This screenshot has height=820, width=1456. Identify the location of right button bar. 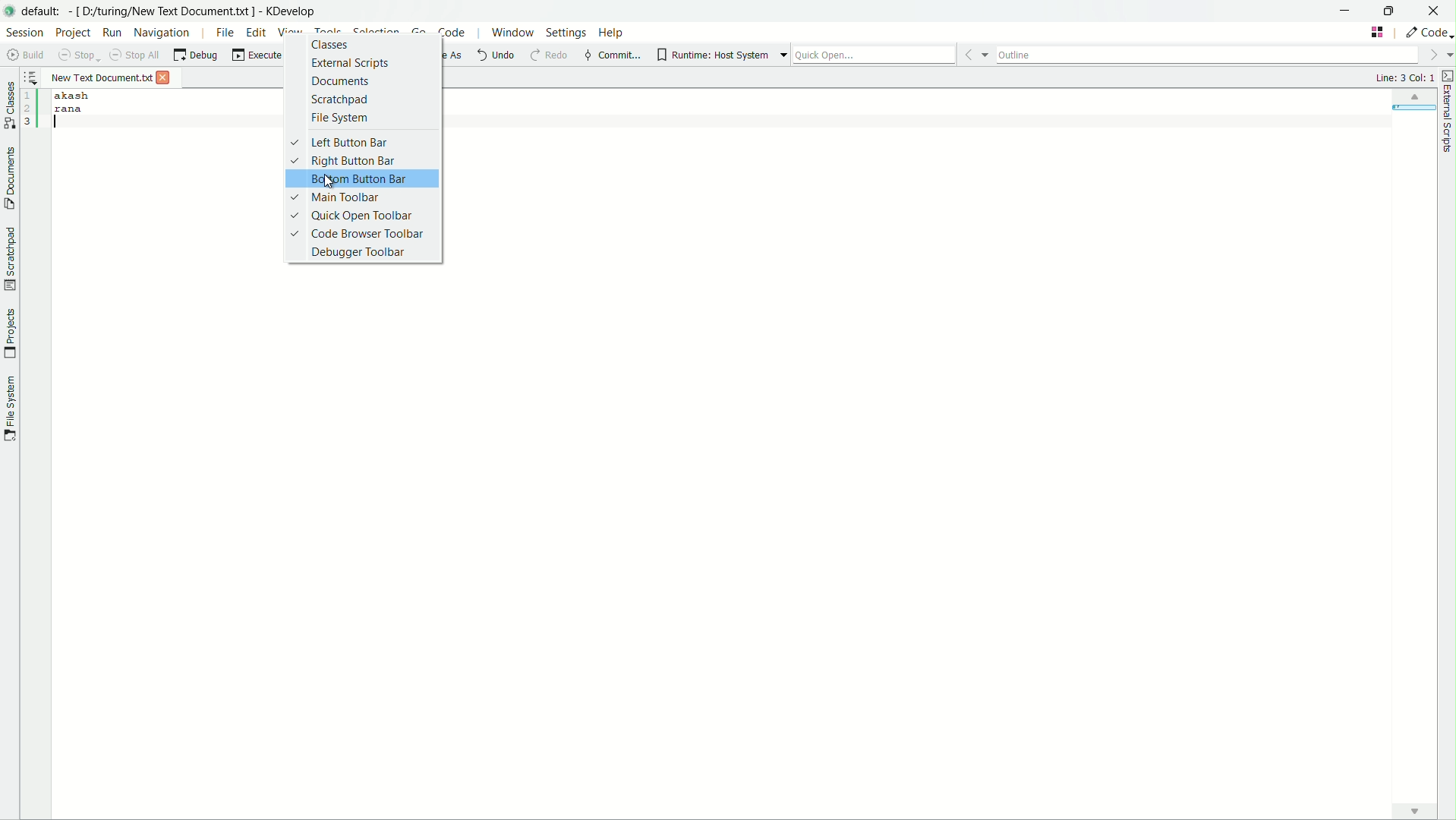
(341, 159).